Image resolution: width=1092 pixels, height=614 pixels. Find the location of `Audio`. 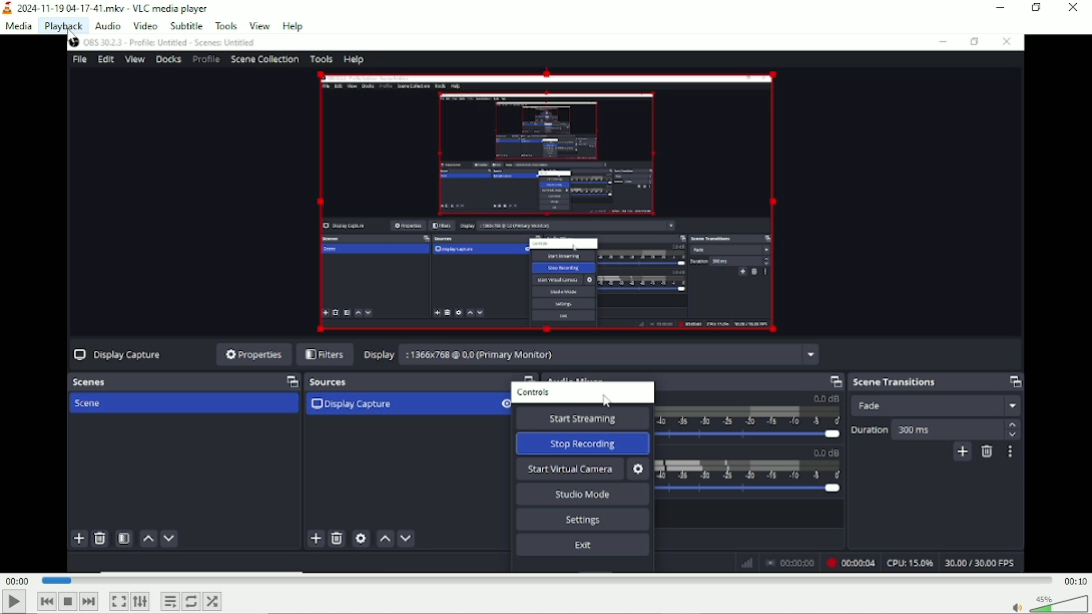

Audio is located at coordinates (106, 25).